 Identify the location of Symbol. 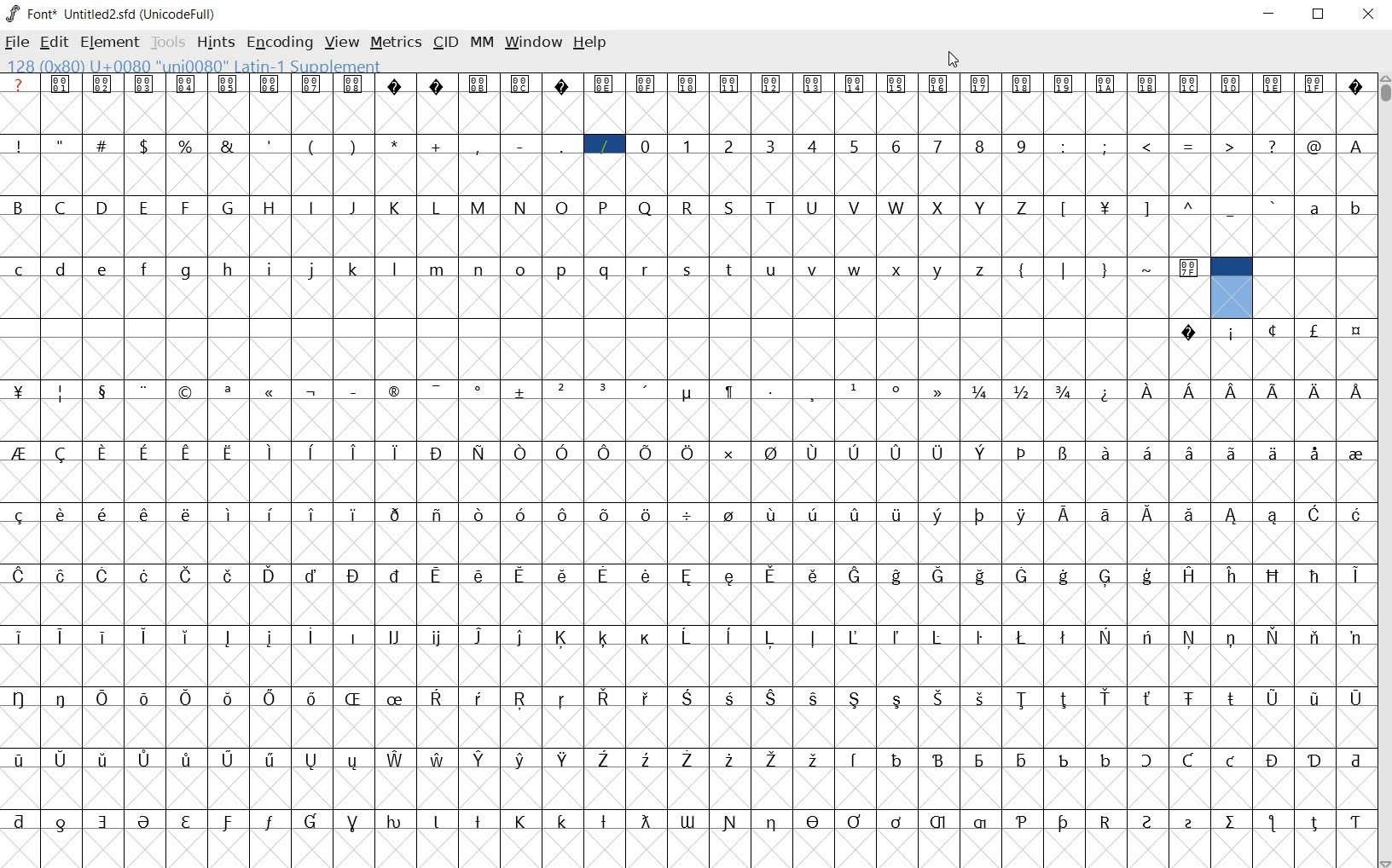
(940, 84).